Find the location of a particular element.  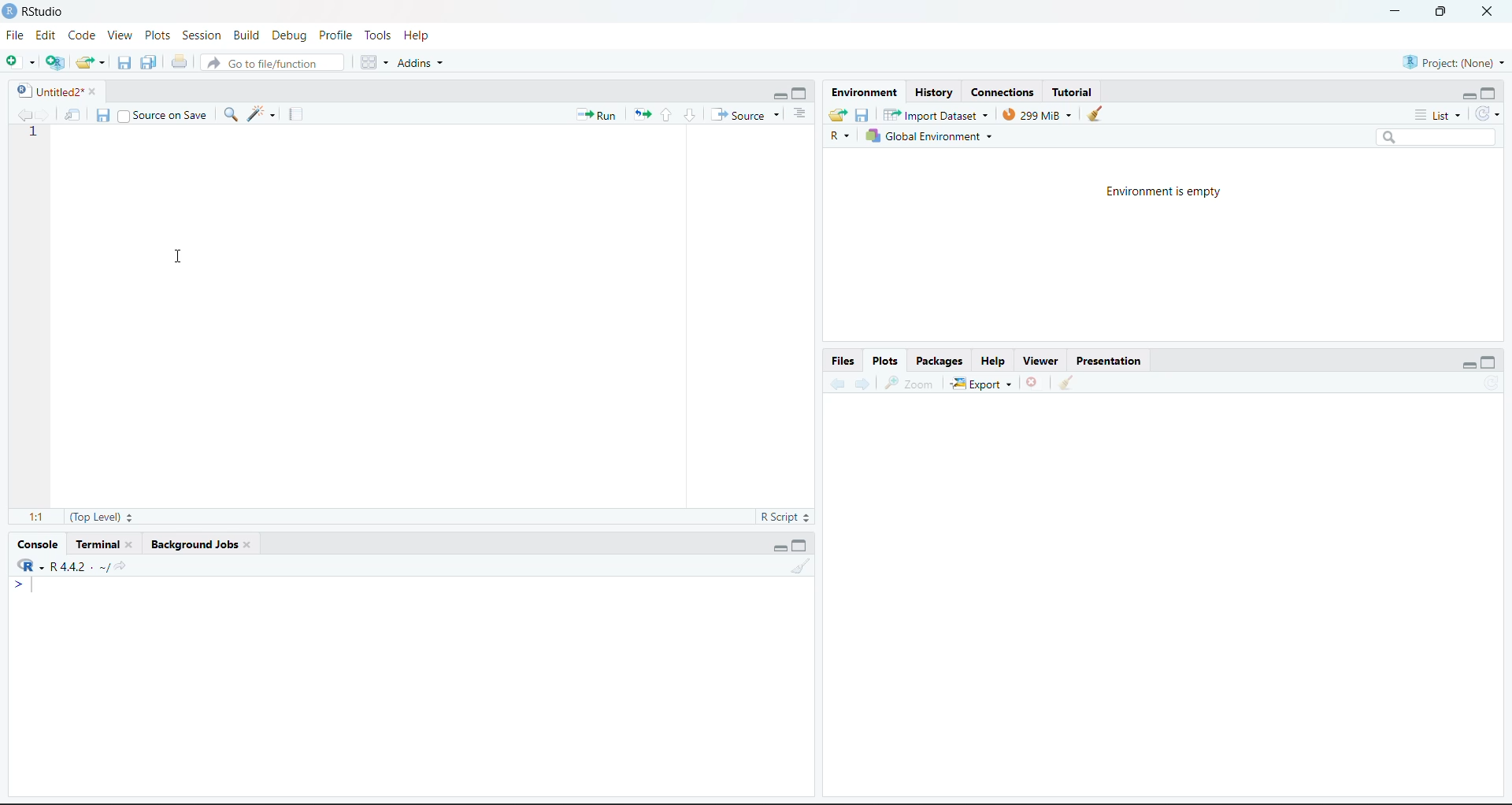

view the current working directory is located at coordinates (122, 565).